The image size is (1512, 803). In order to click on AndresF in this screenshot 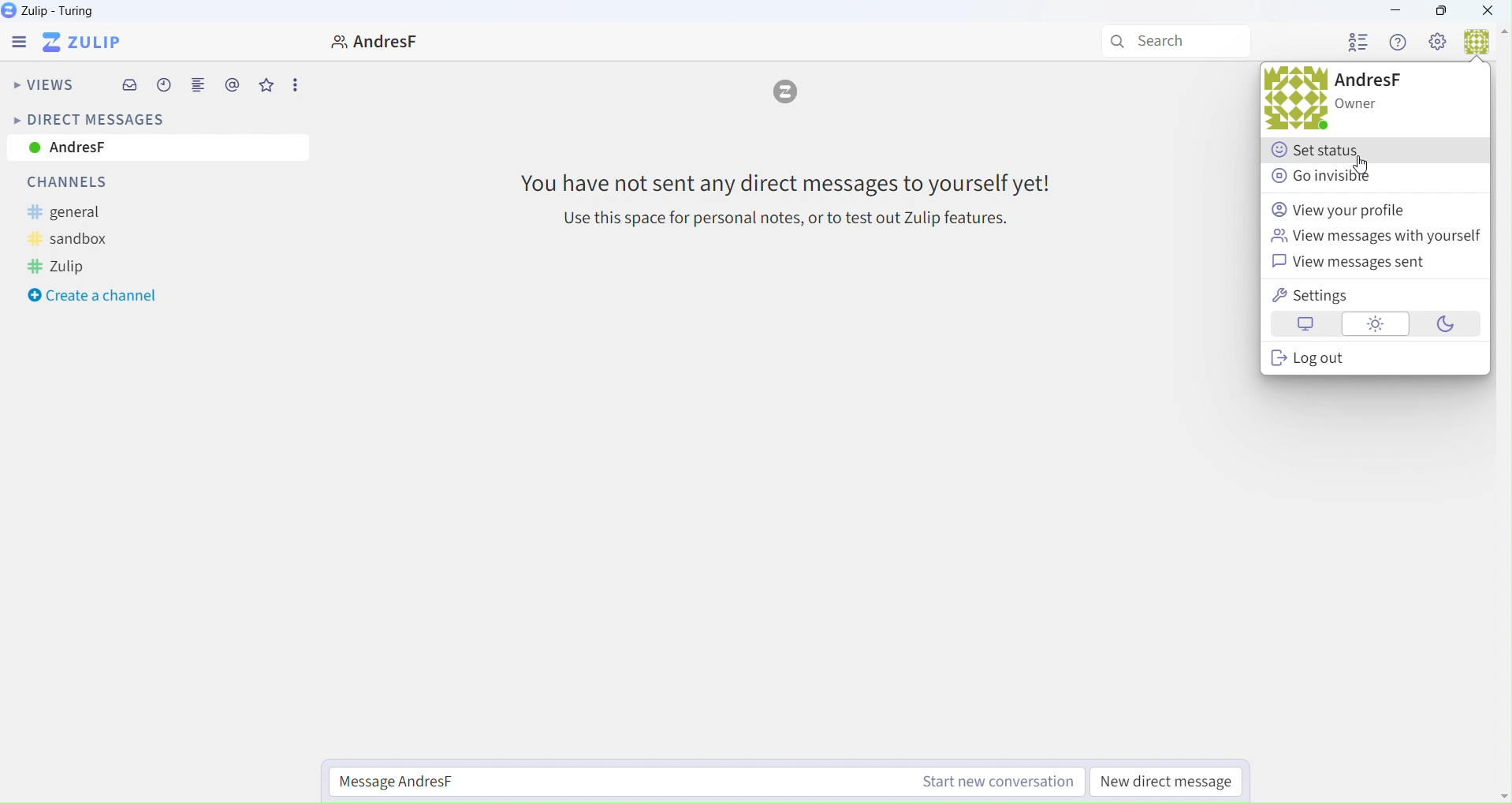, I will do `click(155, 149)`.